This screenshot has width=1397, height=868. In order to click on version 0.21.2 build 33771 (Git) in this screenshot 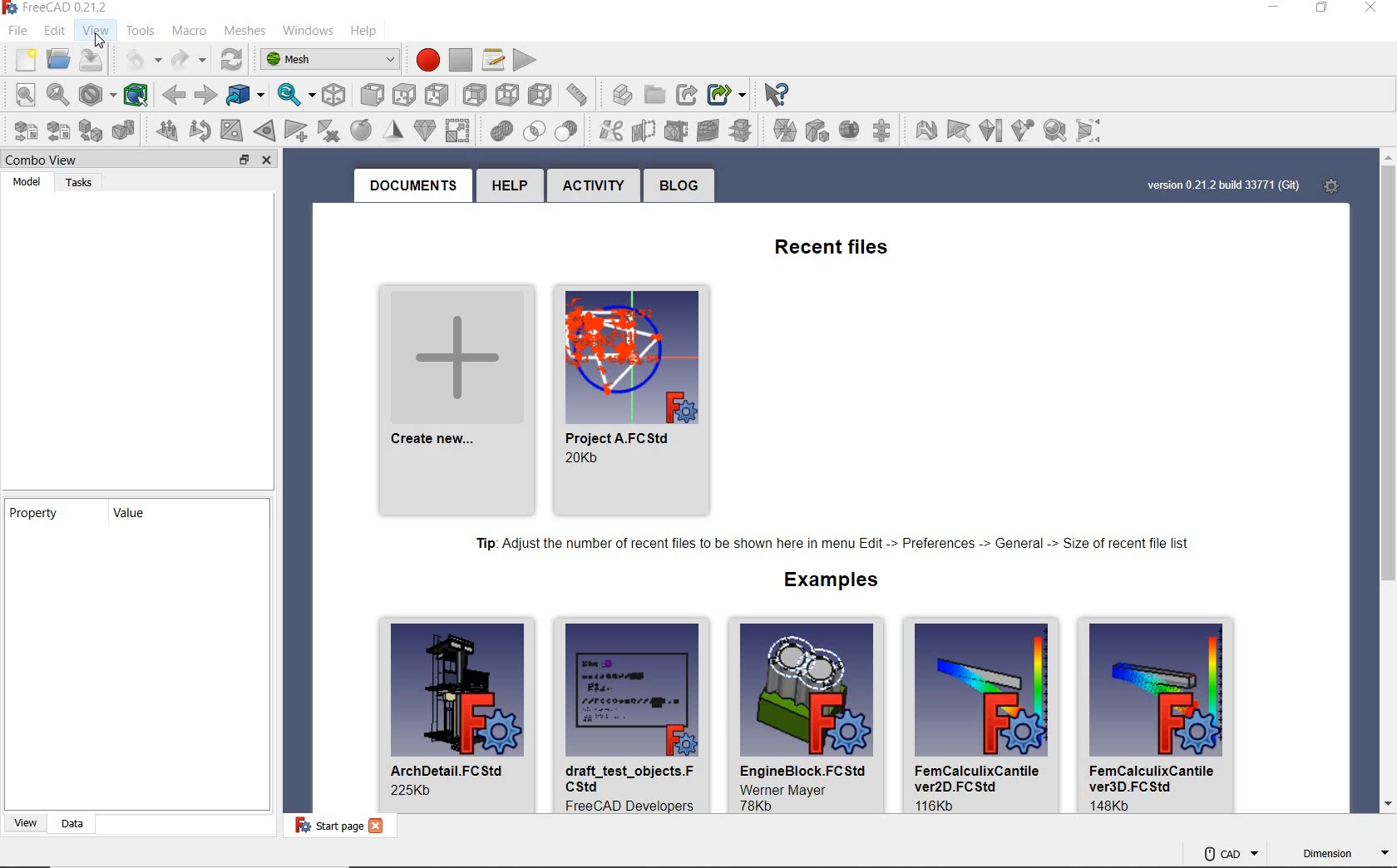, I will do `click(1222, 185)`.